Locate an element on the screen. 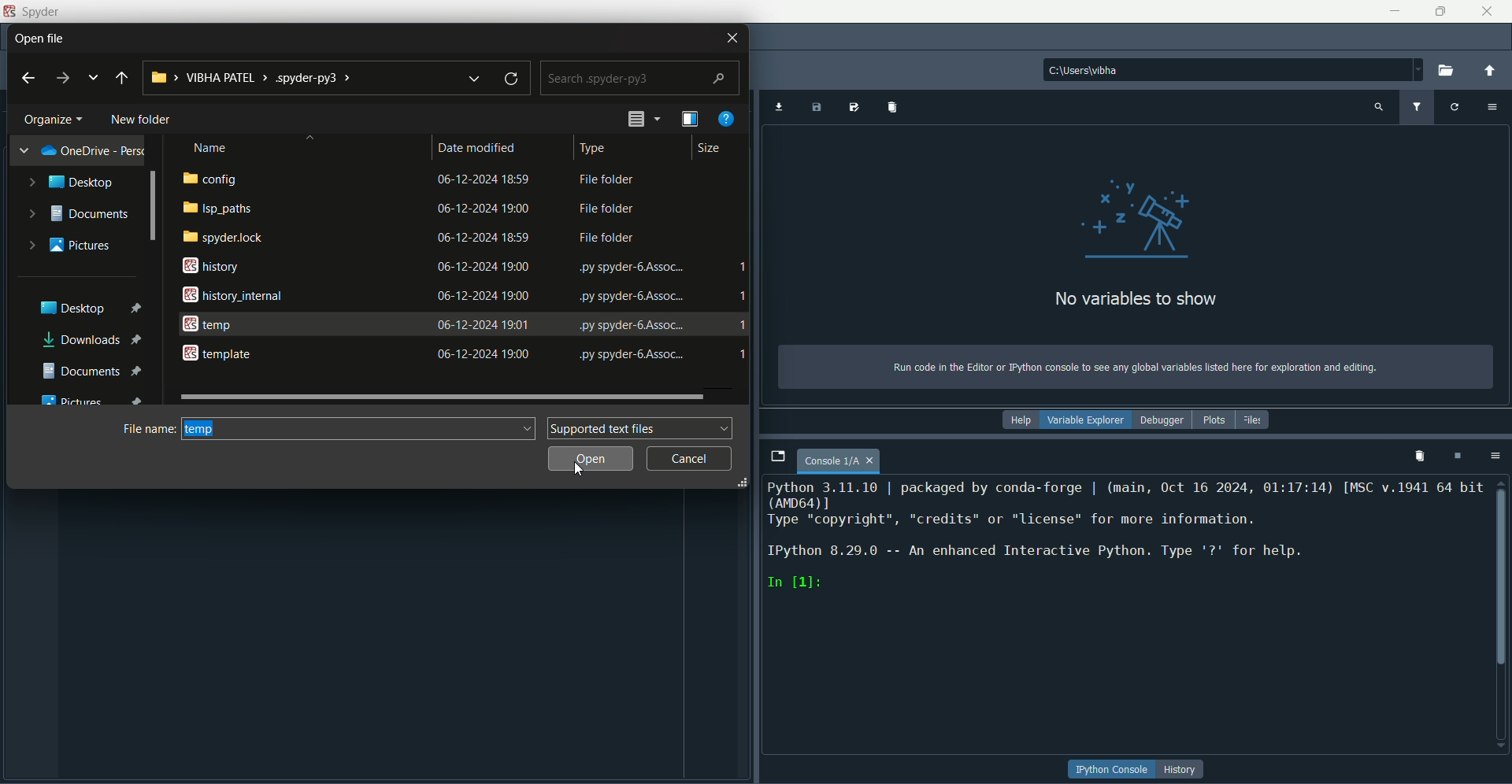 The height and width of the screenshot is (784, 1512). change your view is located at coordinates (691, 119).